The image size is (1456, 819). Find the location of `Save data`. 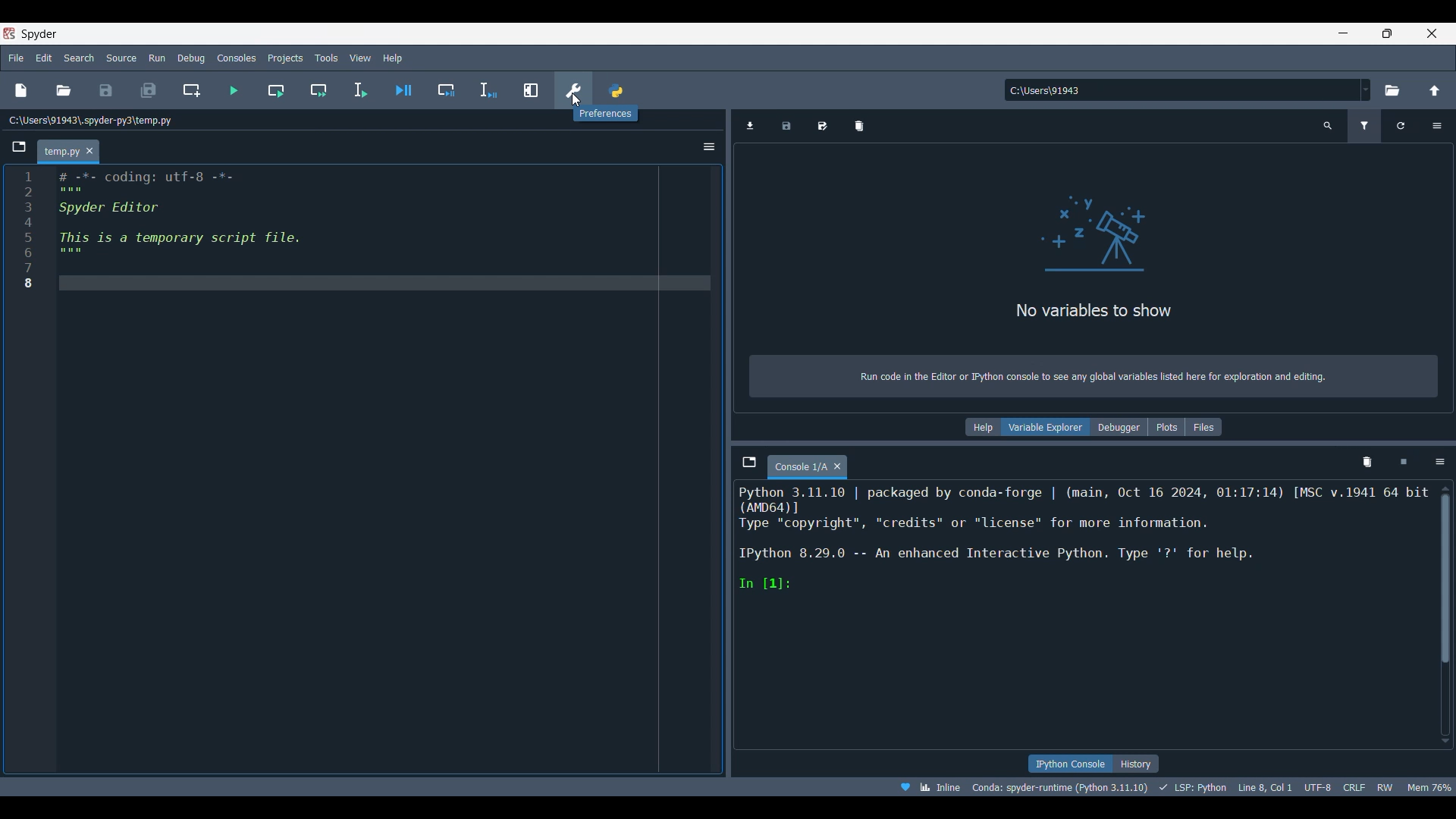

Save data is located at coordinates (786, 126).